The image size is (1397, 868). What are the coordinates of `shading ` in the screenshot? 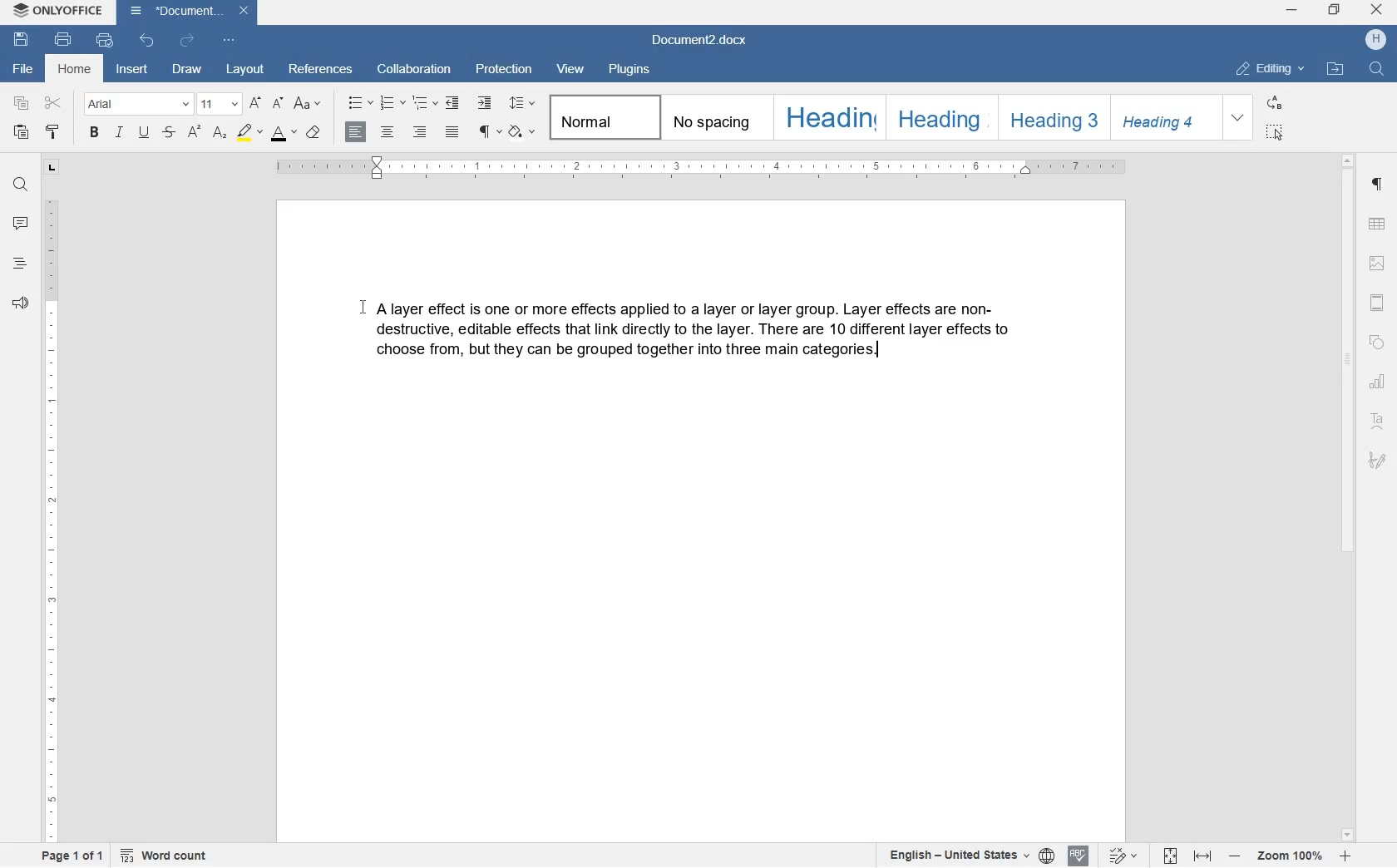 It's located at (521, 132).